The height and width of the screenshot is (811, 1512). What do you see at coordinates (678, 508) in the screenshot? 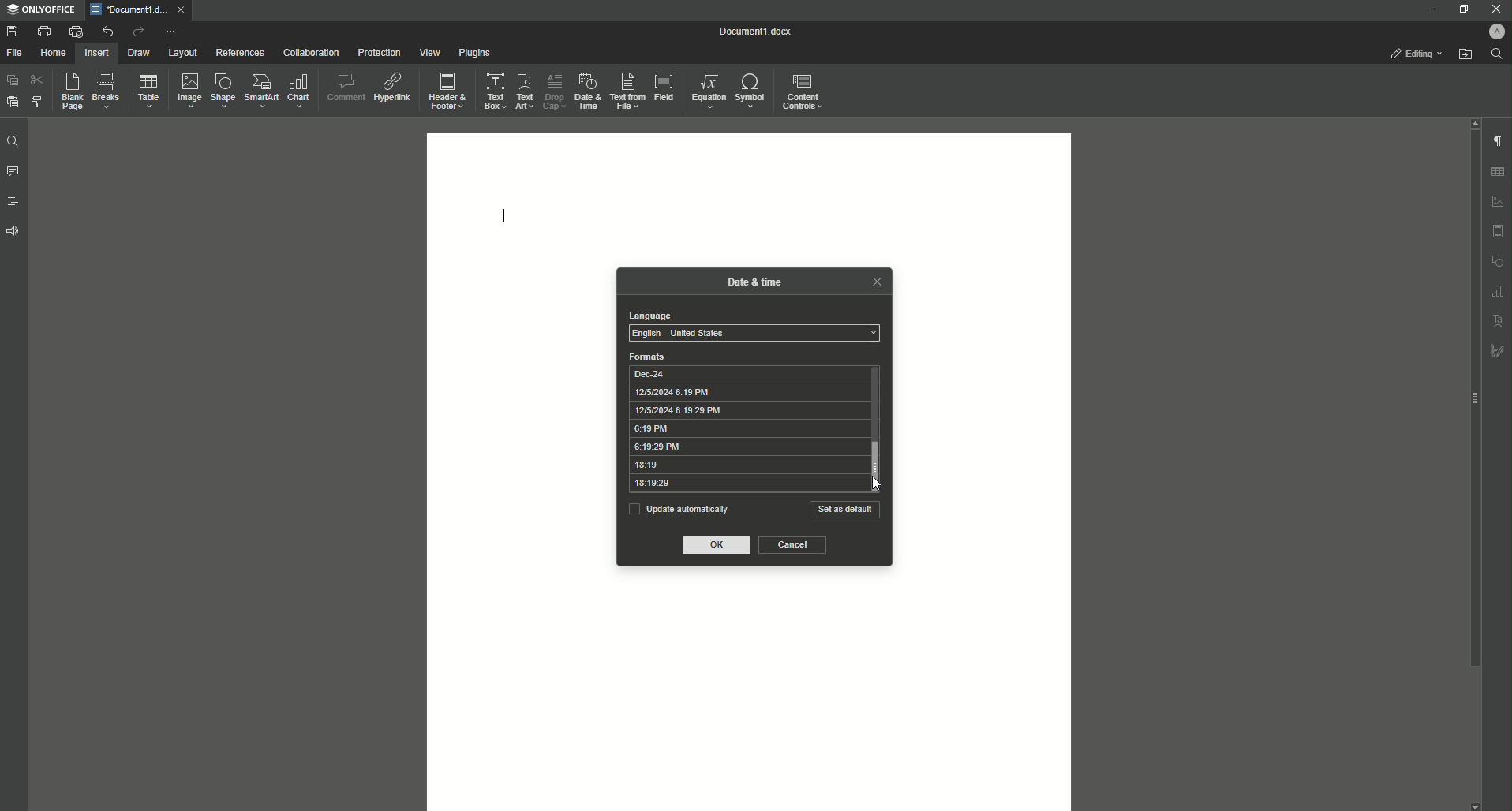
I see `Update automatically` at bounding box center [678, 508].